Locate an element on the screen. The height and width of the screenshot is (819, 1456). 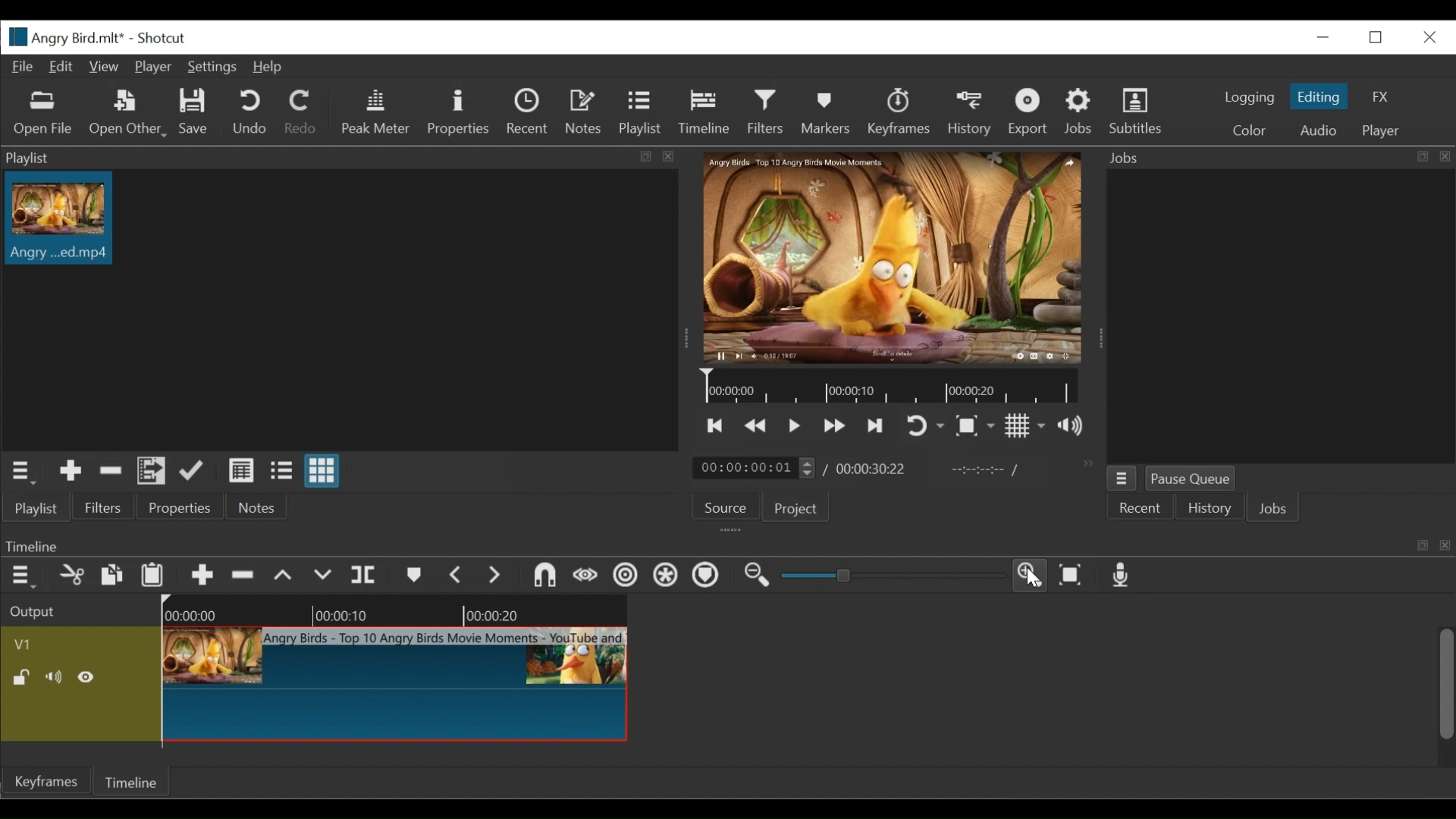
Playlist is located at coordinates (639, 114).